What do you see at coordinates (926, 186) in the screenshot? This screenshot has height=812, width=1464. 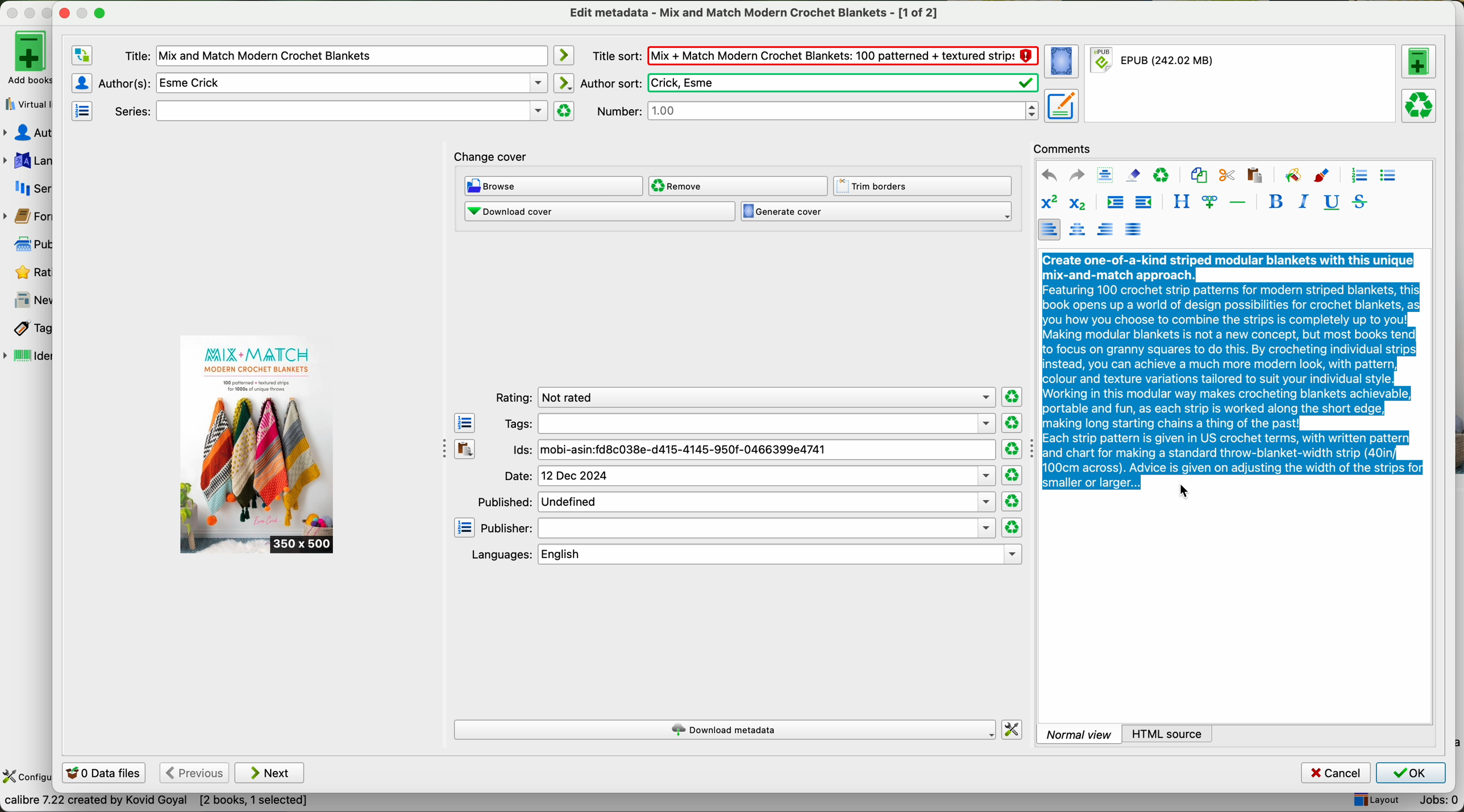 I see `trim borders` at bounding box center [926, 186].